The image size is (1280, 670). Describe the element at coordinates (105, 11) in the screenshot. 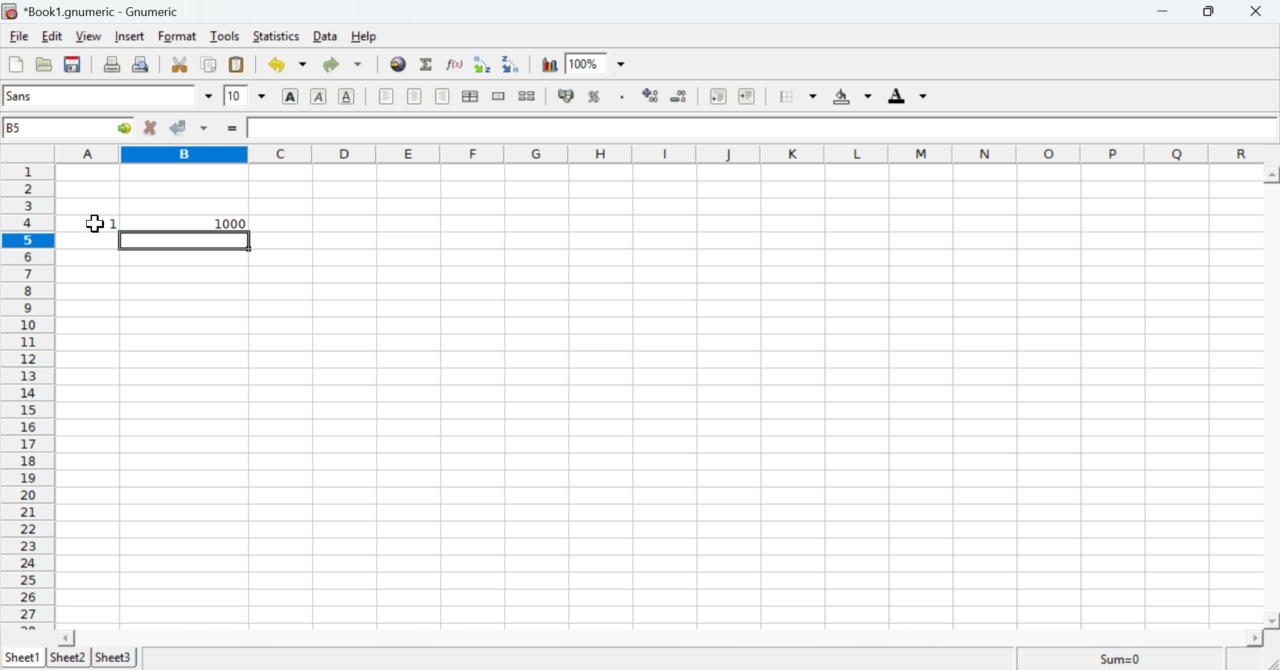

I see `*Book1.gnumeric - Gnumeric` at that location.